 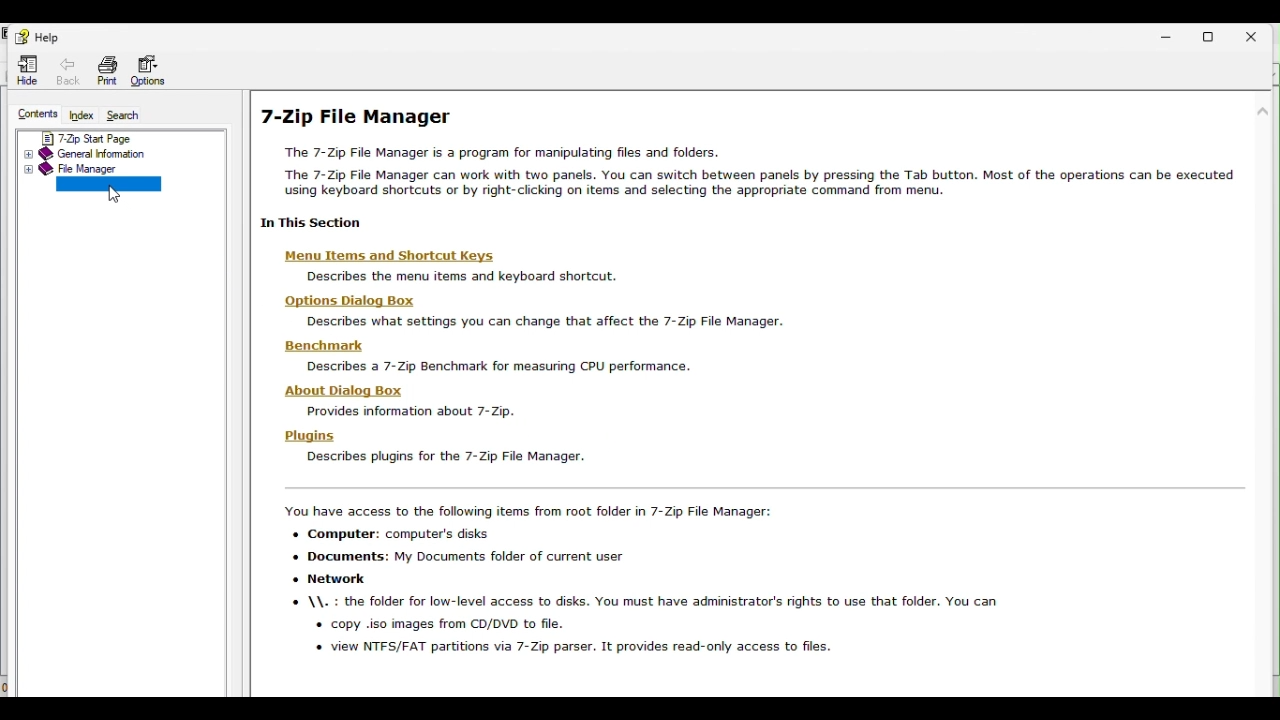 What do you see at coordinates (107, 67) in the screenshot?
I see `Print` at bounding box center [107, 67].